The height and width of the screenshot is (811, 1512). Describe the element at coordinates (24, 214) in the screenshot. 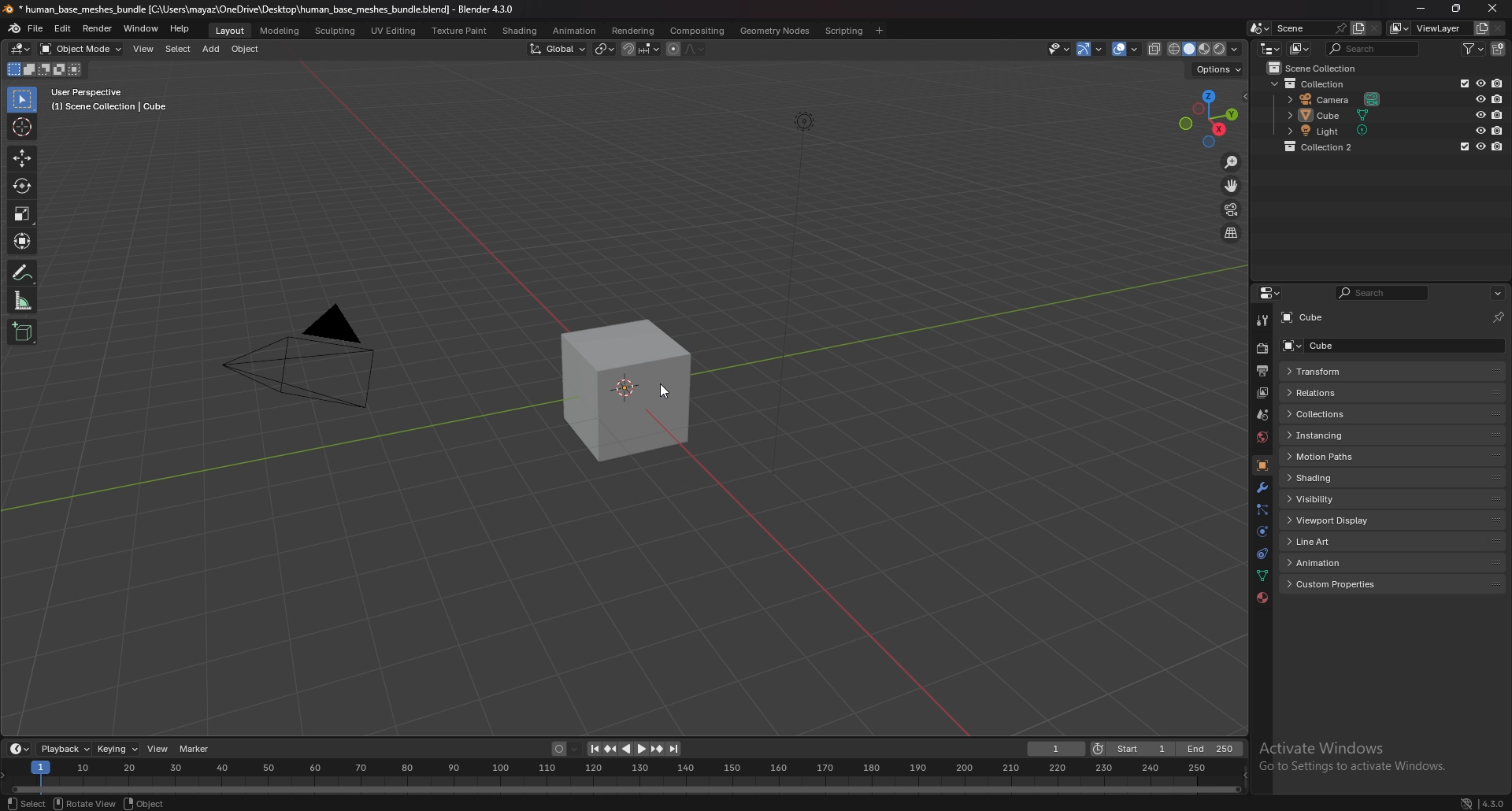

I see `scale` at that location.